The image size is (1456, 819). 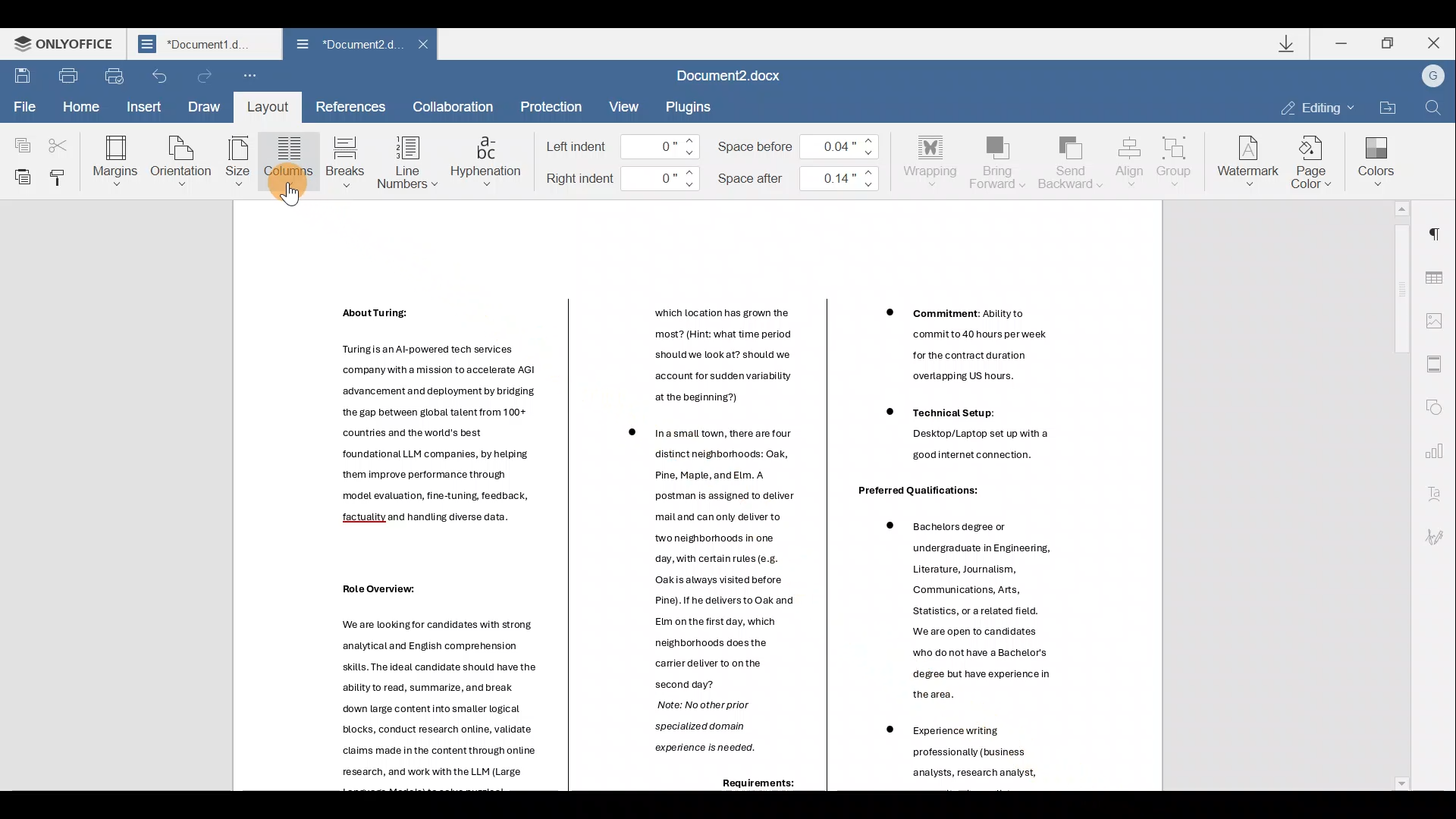 I want to click on Paste, so click(x=19, y=175).